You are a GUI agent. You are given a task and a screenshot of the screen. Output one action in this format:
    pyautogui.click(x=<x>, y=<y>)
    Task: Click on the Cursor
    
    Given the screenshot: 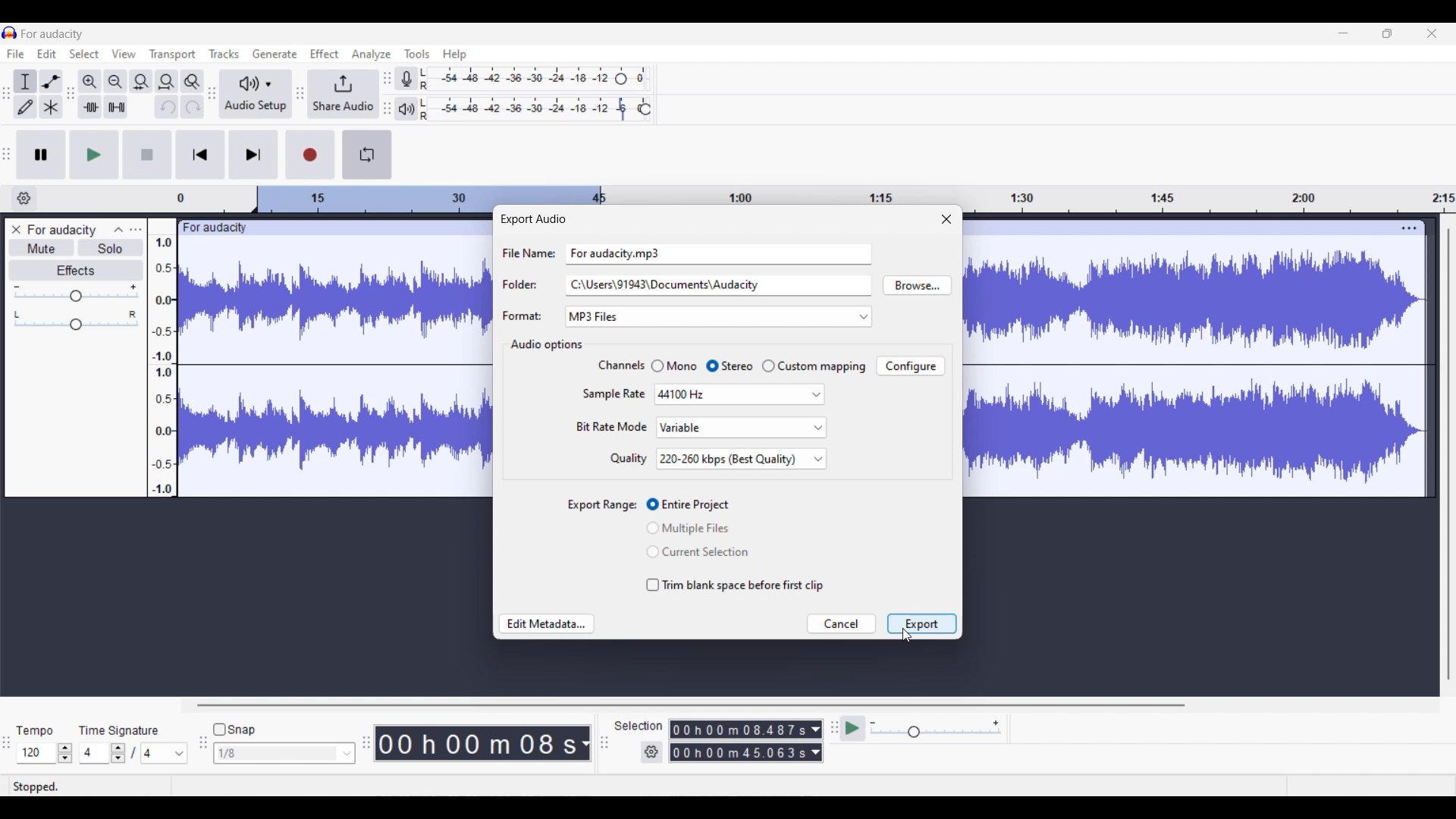 What is the action you would take?
    pyautogui.click(x=906, y=635)
    